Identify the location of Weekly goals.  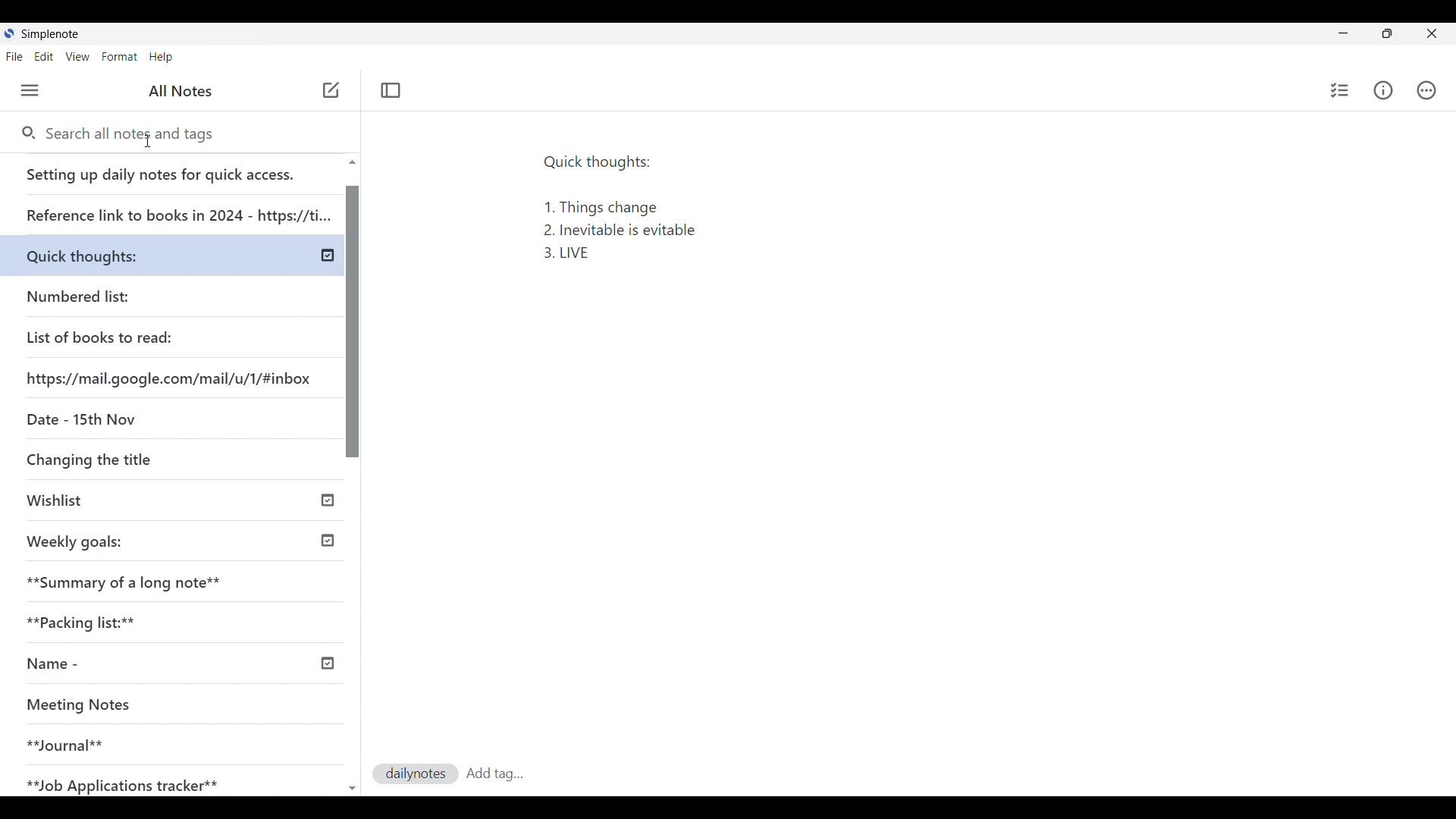
(74, 540).